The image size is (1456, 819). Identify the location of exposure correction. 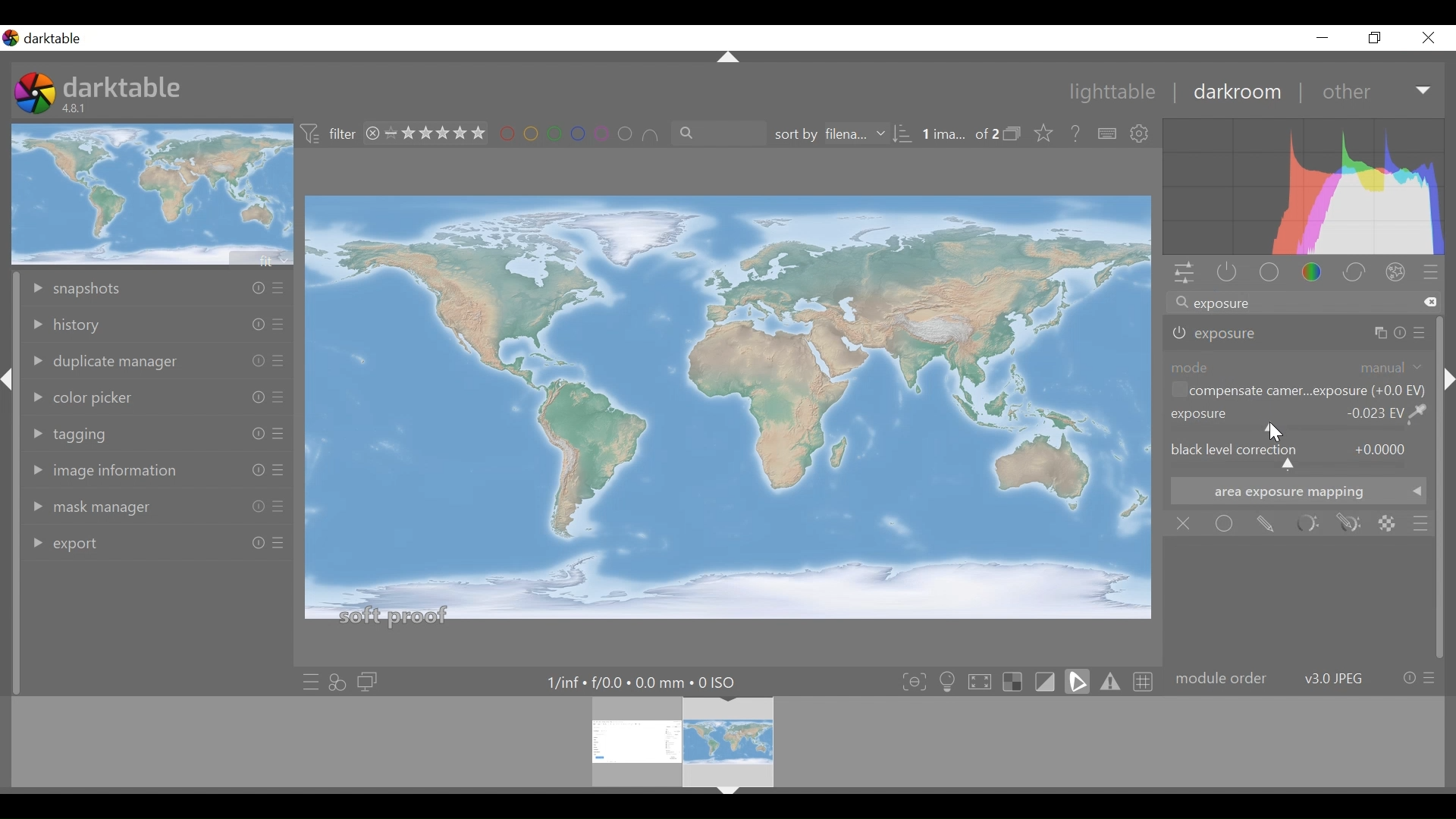
(1222, 334).